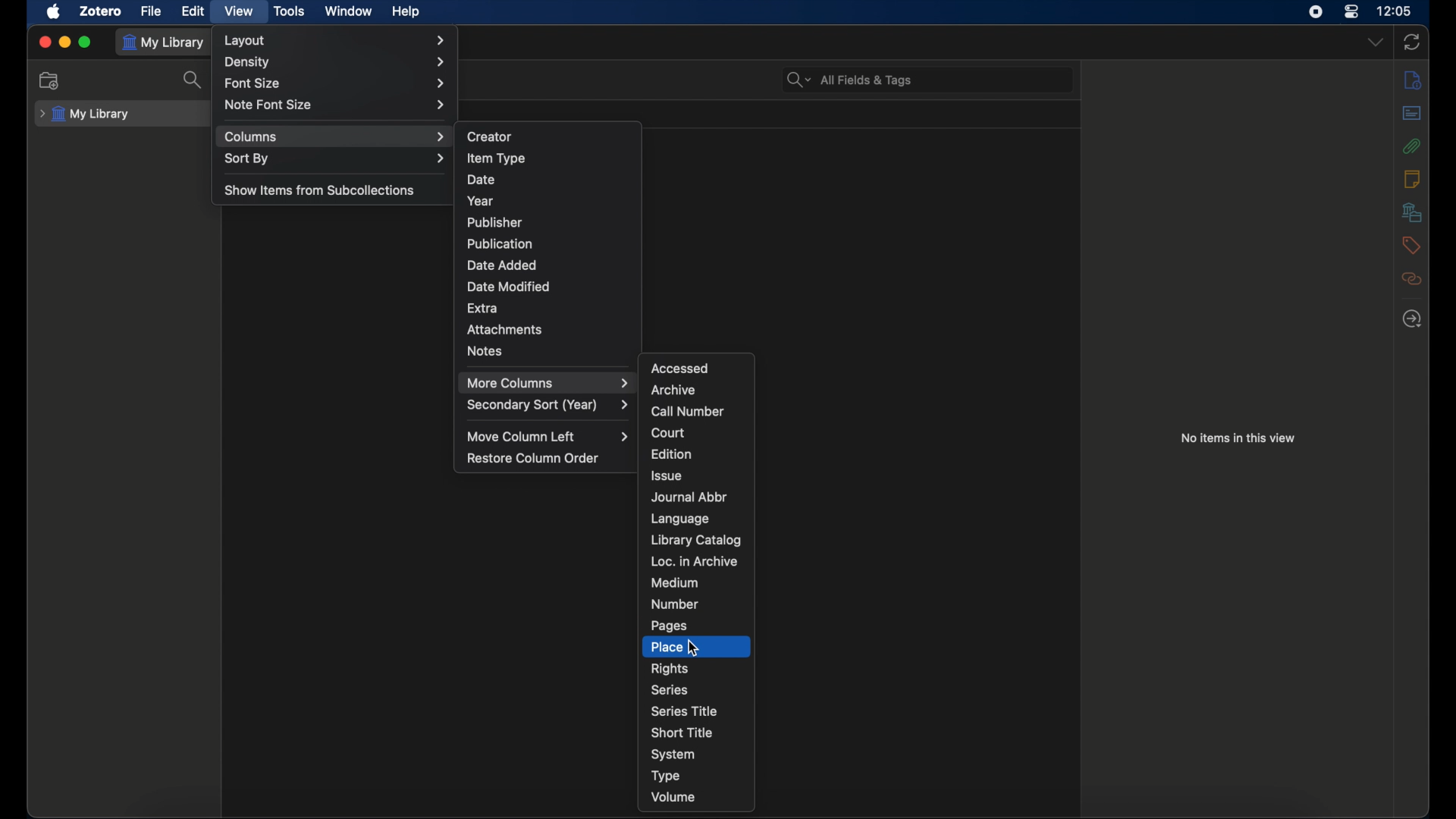 Image resolution: width=1456 pixels, height=819 pixels. What do you see at coordinates (674, 796) in the screenshot?
I see `volume` at bounding box center [674, 796].